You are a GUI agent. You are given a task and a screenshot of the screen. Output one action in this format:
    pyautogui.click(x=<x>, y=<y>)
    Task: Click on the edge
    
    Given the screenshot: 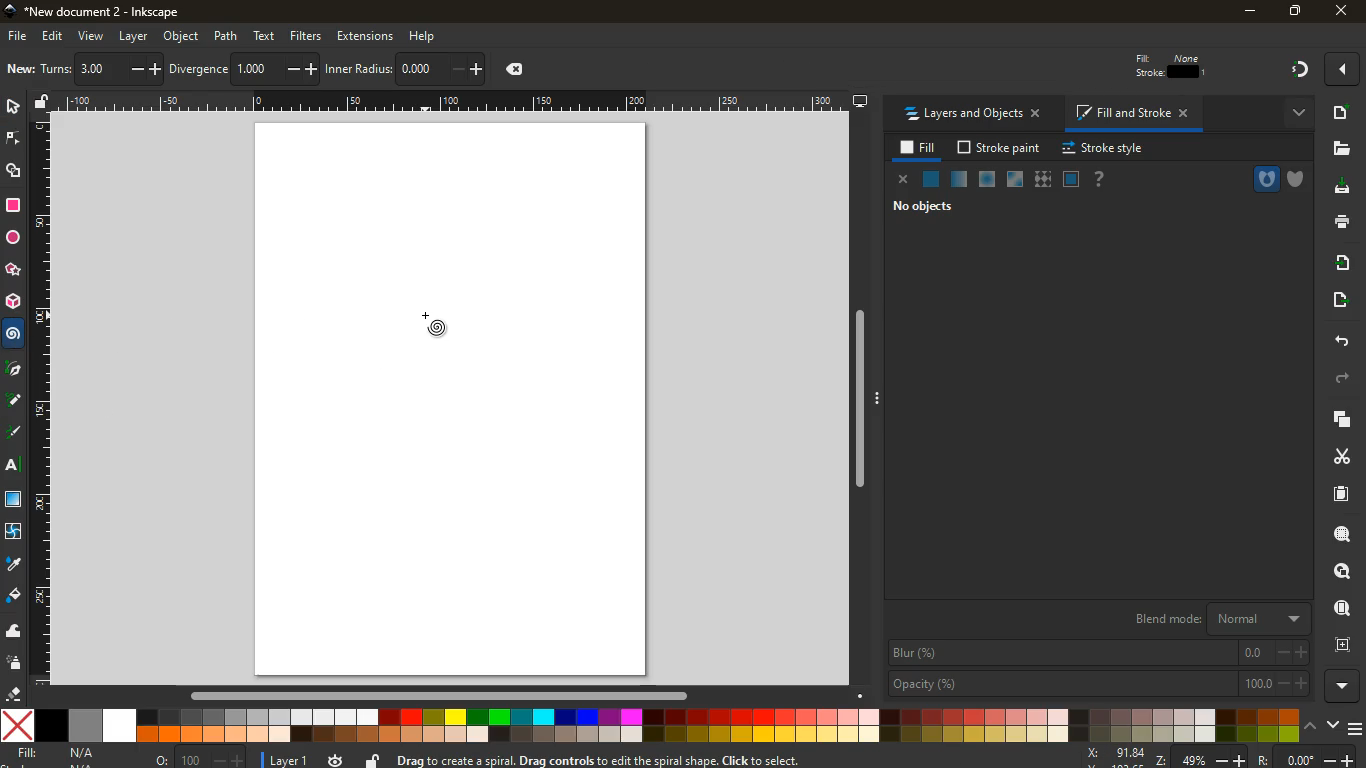 What is the action you would take?
    pyautogui.click(x=12, y=141)
    